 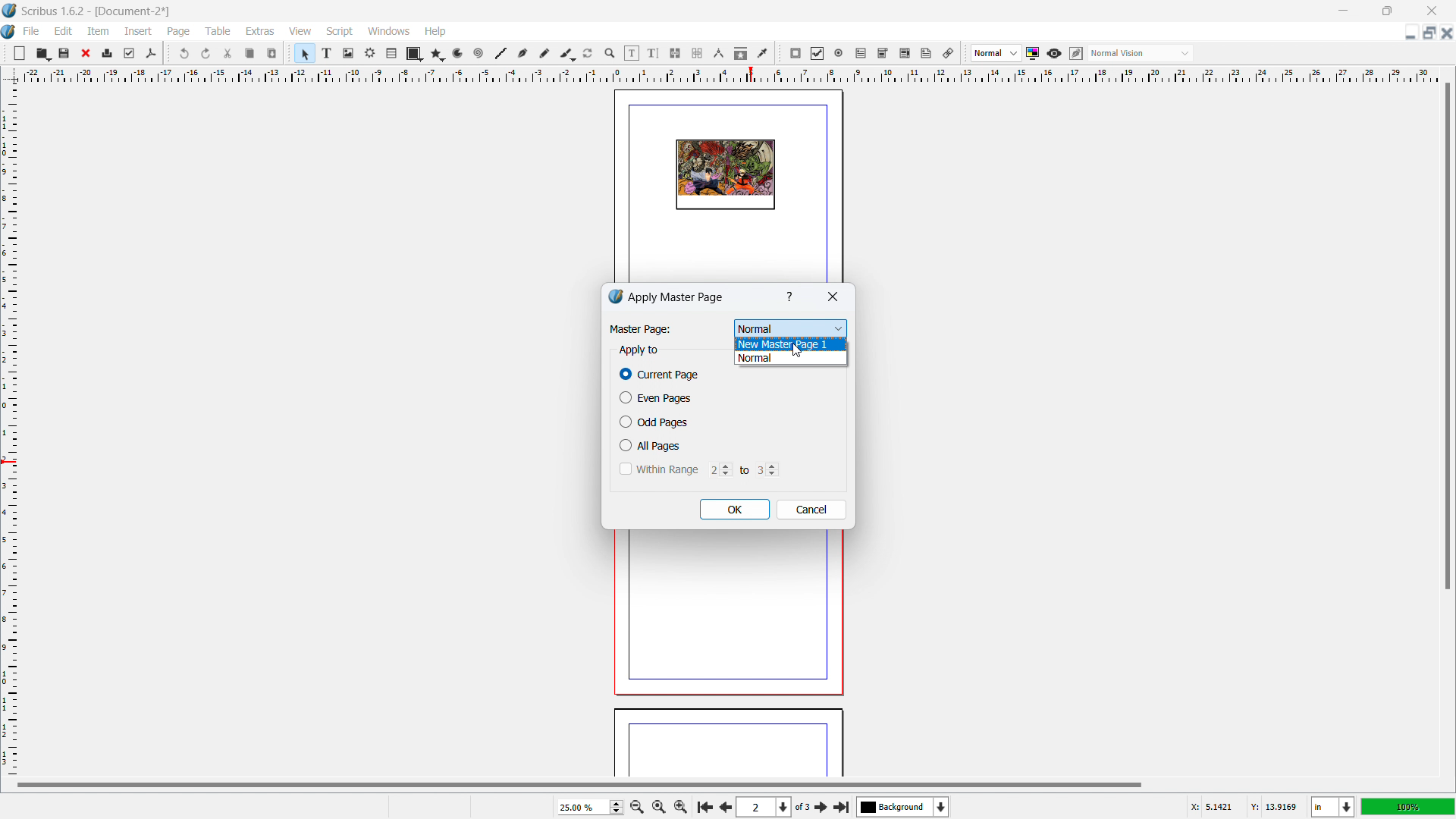 What do you see at coordinates (780, 54) in the screenshot?
I see `move toolbox` at bounding box center [780, 54].